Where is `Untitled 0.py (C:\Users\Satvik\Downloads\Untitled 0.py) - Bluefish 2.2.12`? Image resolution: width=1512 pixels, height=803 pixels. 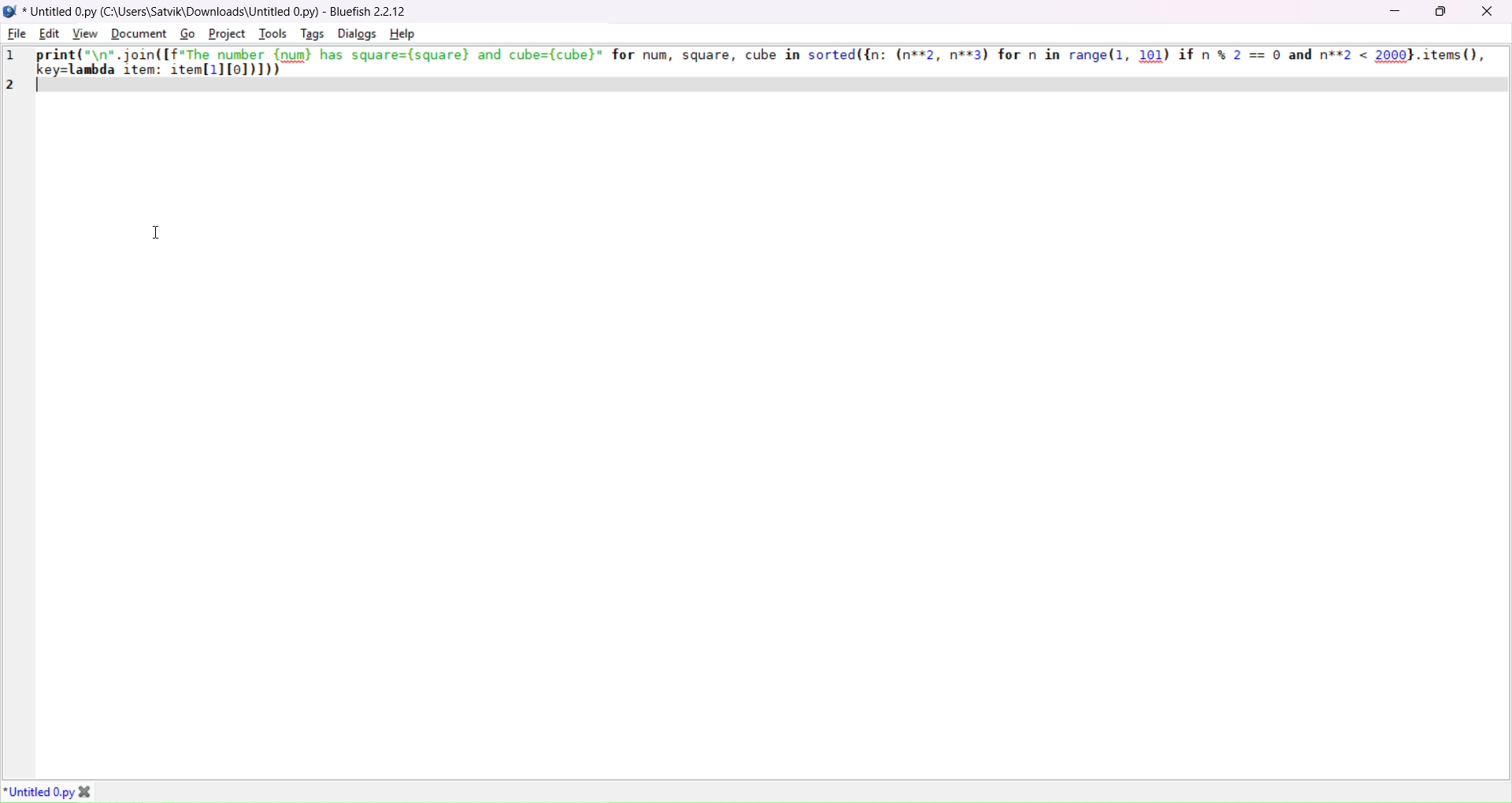
Untitled 0.py (C:\Users\Satvik\Downloads\Untitled 0.py) - Bluefish 2.2.12 is located at coordinates (220, 13).